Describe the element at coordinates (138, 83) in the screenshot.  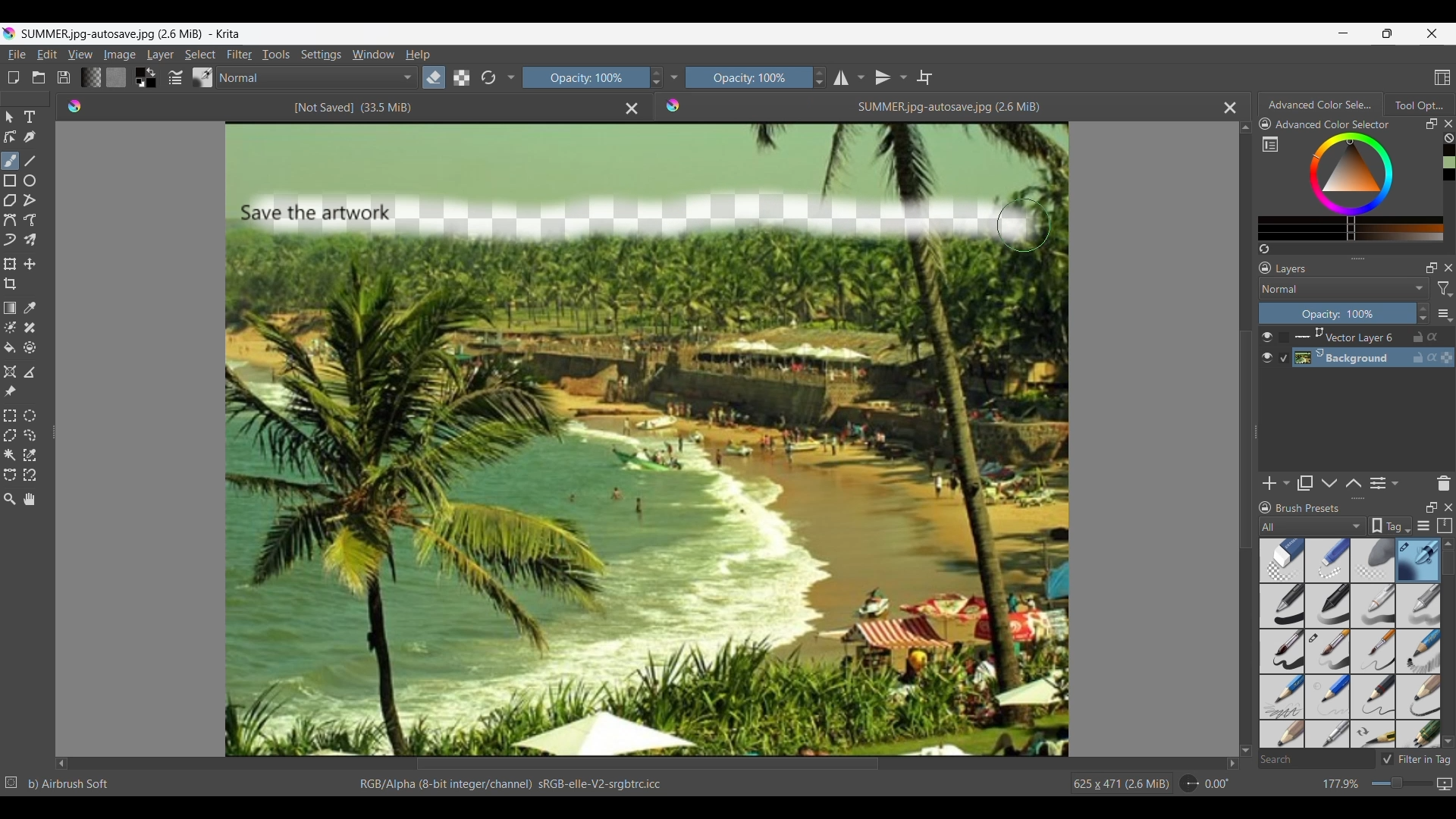
I see `Set foreground and background color as white and black respectively` at that location.